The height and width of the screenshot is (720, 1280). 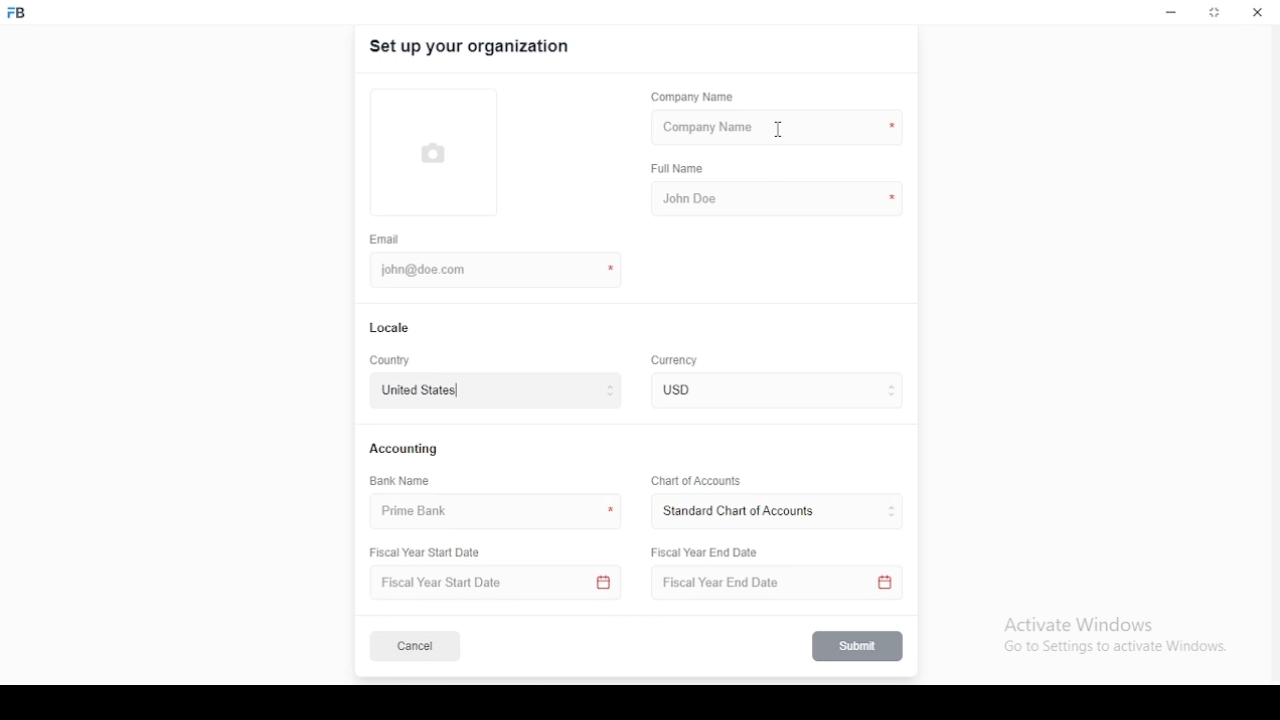 What do you see at coordinates (1171, 13) in the screenshot?
I see `minimize` at bounding box center [1171, 13].